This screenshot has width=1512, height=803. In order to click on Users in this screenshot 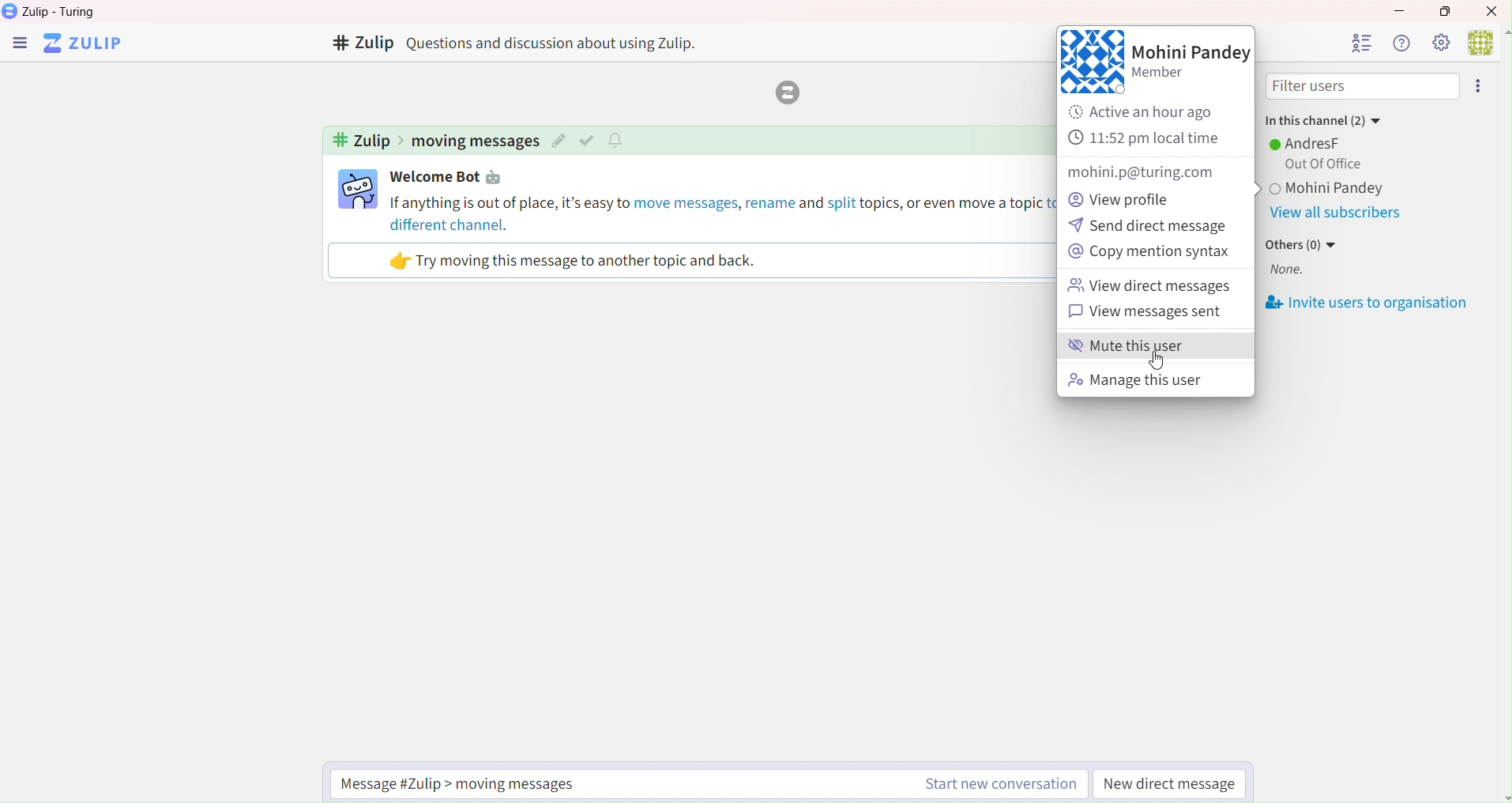, I will do `click(1360, 43)`.